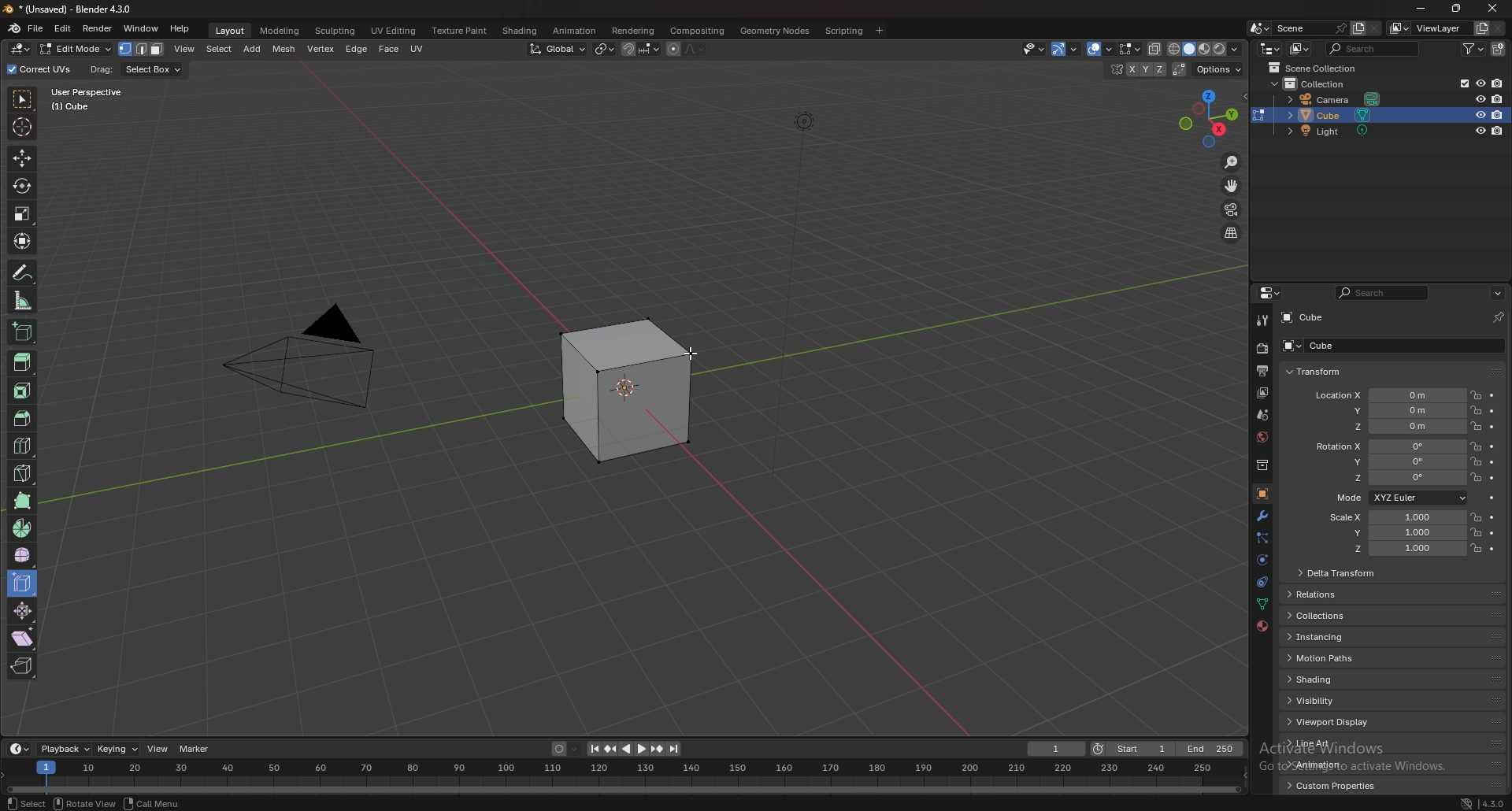 The width and height of the screenshot is (1512, 811). I want to click on disable in render, so click(1499, 114).